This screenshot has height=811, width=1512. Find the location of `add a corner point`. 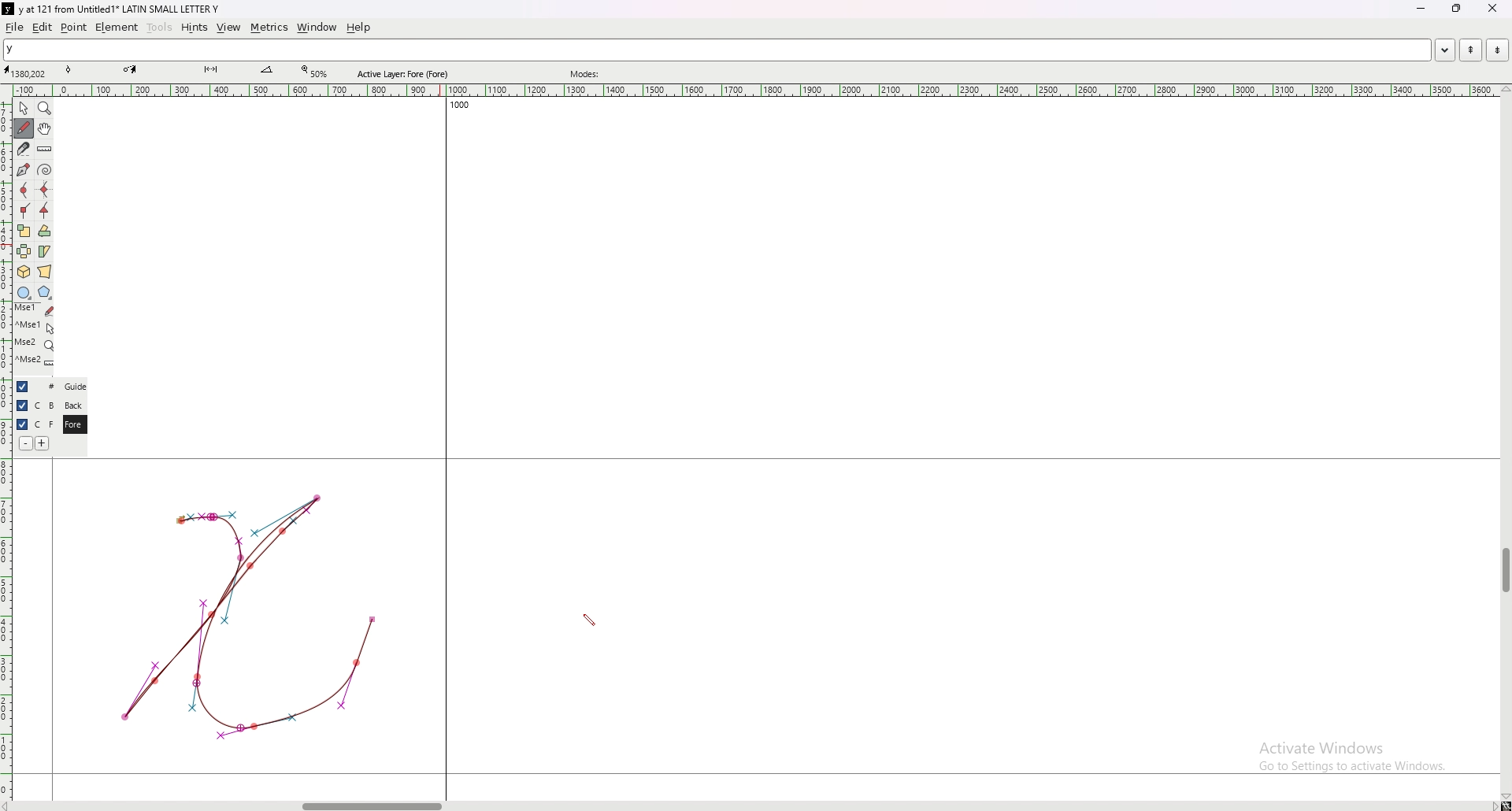

add a corner point is located at coordinates (24, 210).